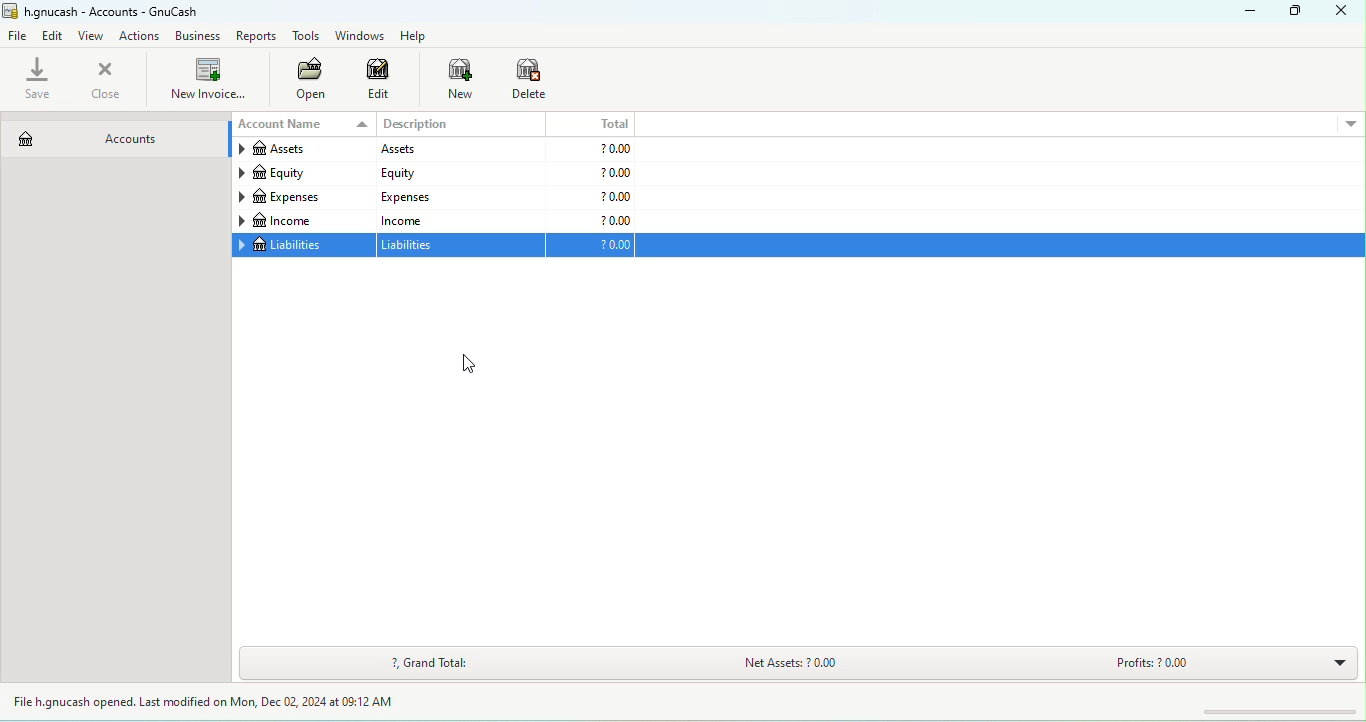 Image resolution: width=1366 pixels, height=722 pixels. I want to click on description, so click(461, 125).